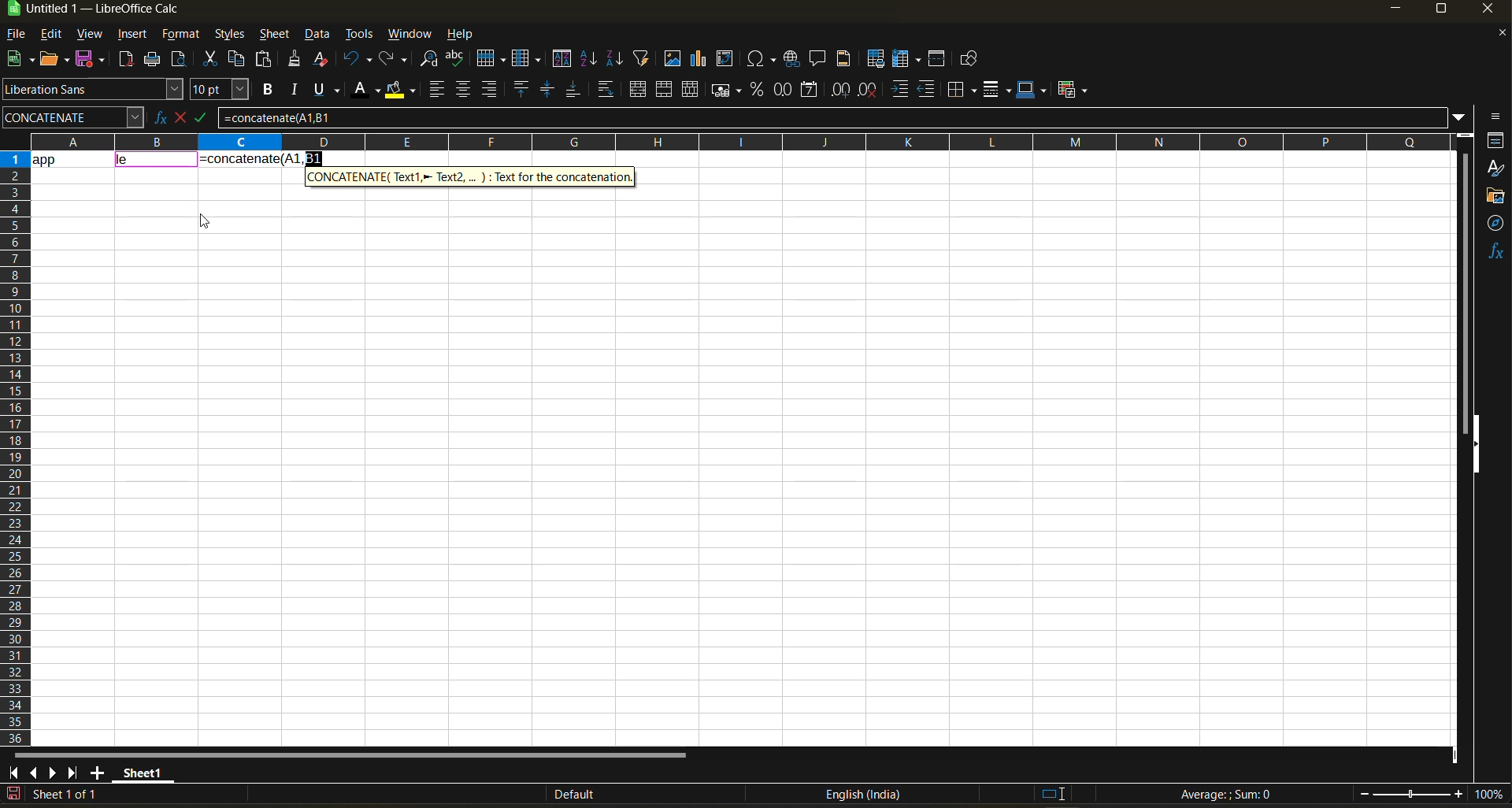 Image resolution: width=1512 pixels, height=808 pixels. I want to click on hide, so click(1475, 445).